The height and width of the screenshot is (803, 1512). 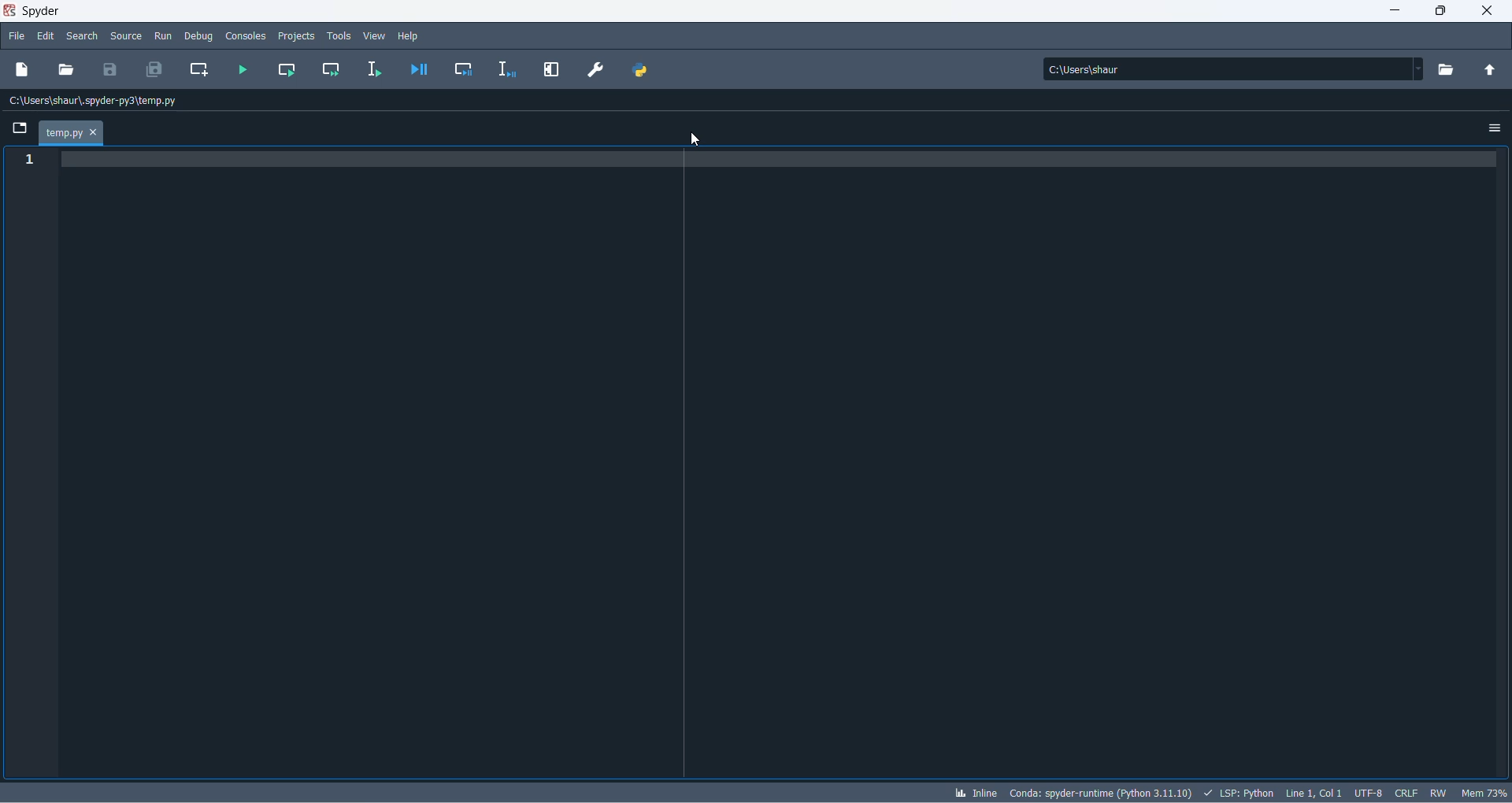 I want to click on line number, so click(x=34, y=161).